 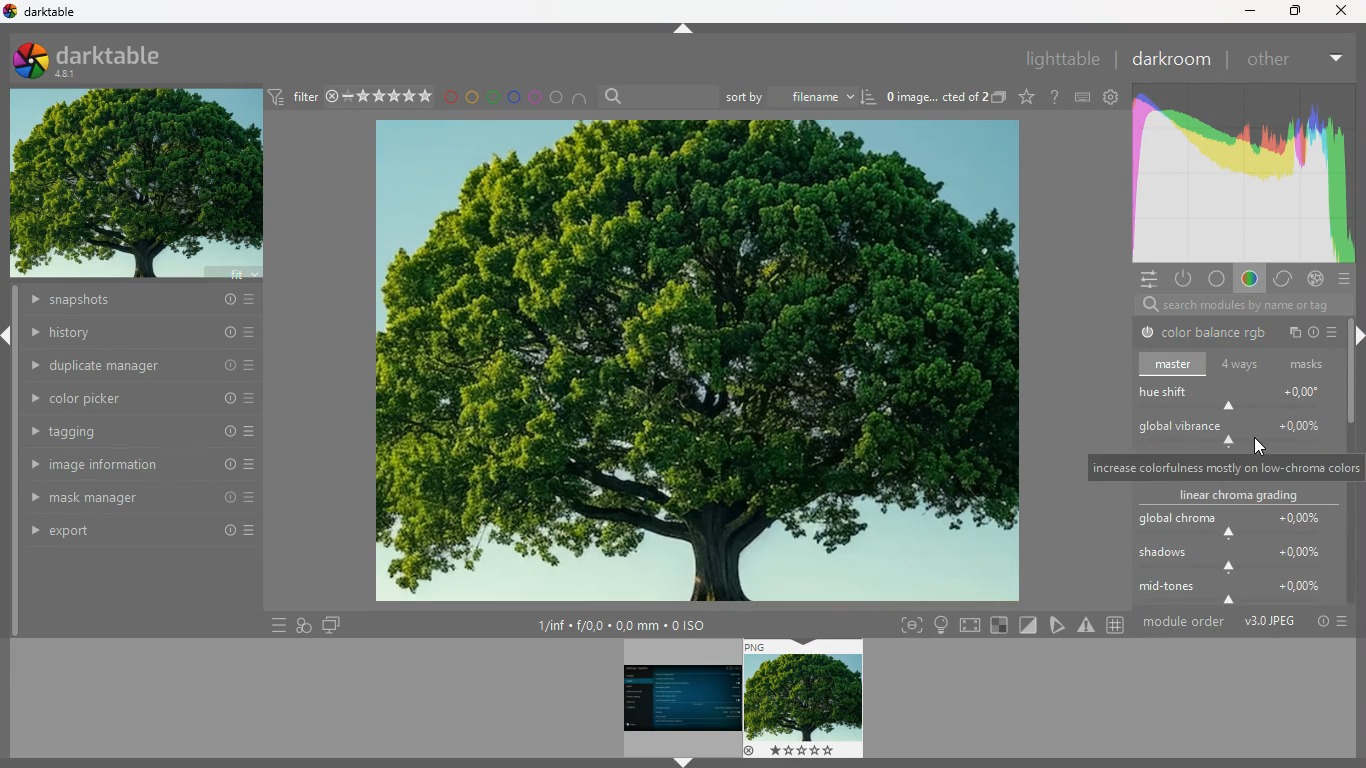 I want to click on history, so click(x=143, y=333).